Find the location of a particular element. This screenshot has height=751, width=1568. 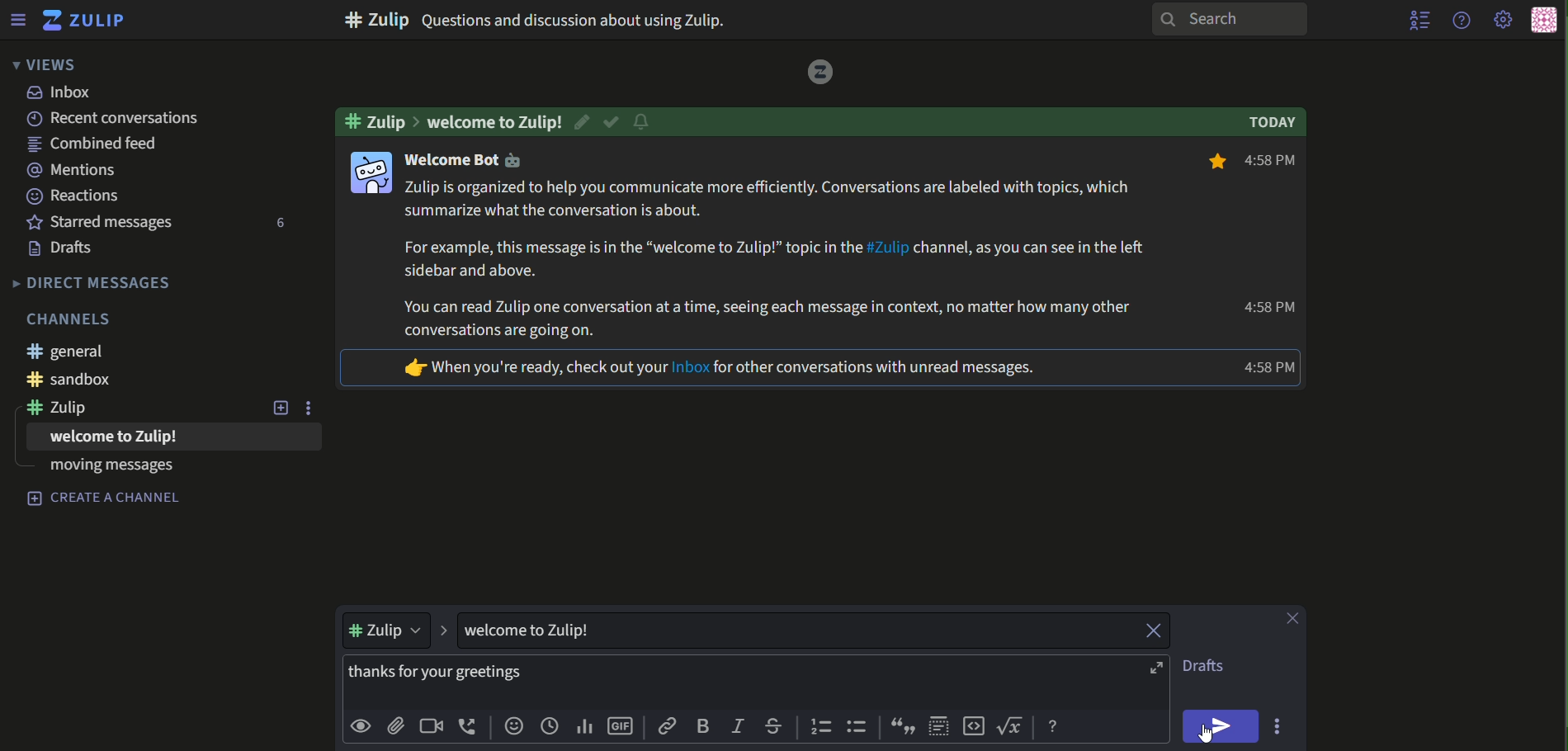

text is located at coordinates (172, 119).